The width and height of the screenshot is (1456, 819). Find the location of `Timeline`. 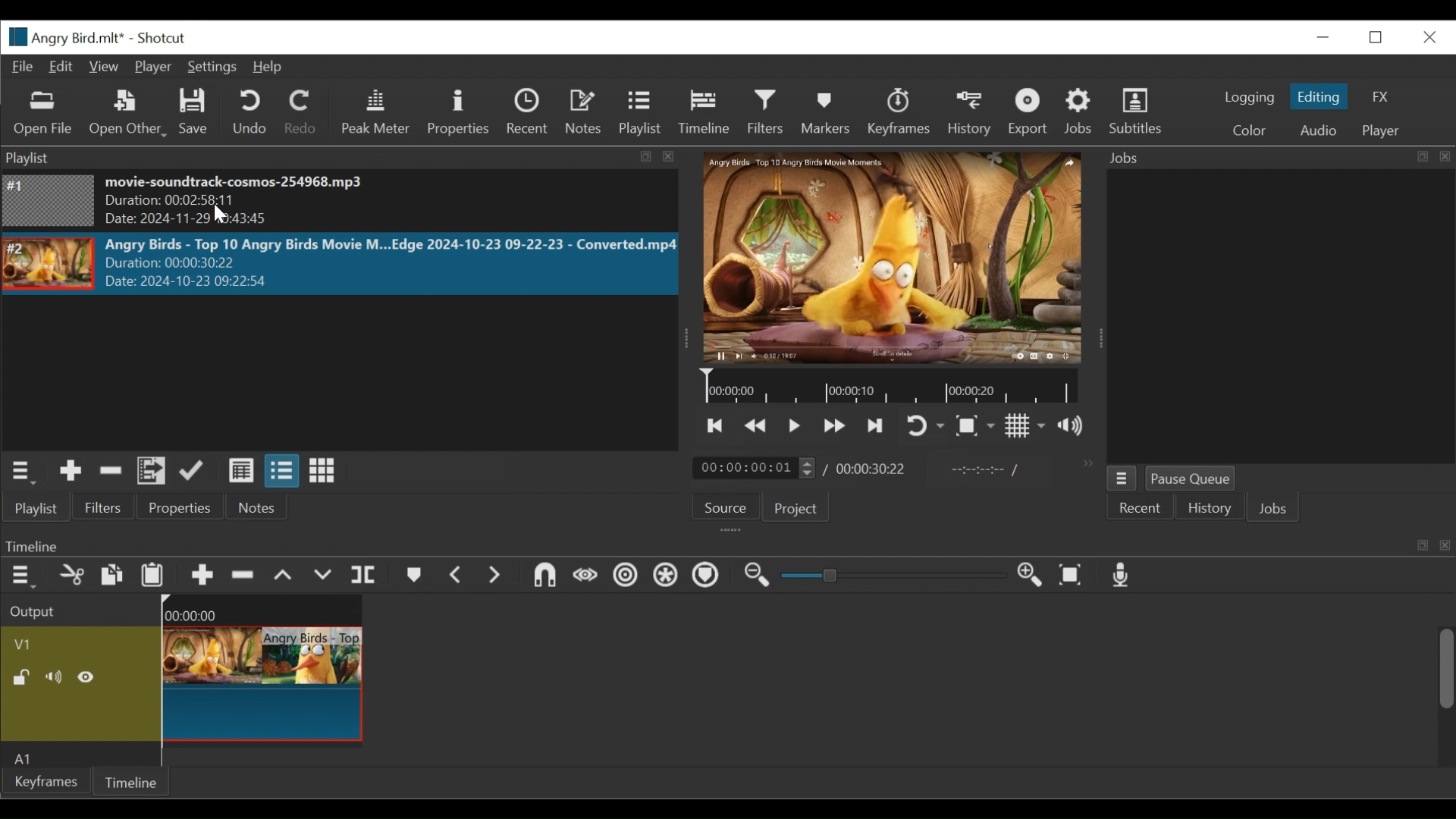

Timeline is located at coordinates (703, 112).